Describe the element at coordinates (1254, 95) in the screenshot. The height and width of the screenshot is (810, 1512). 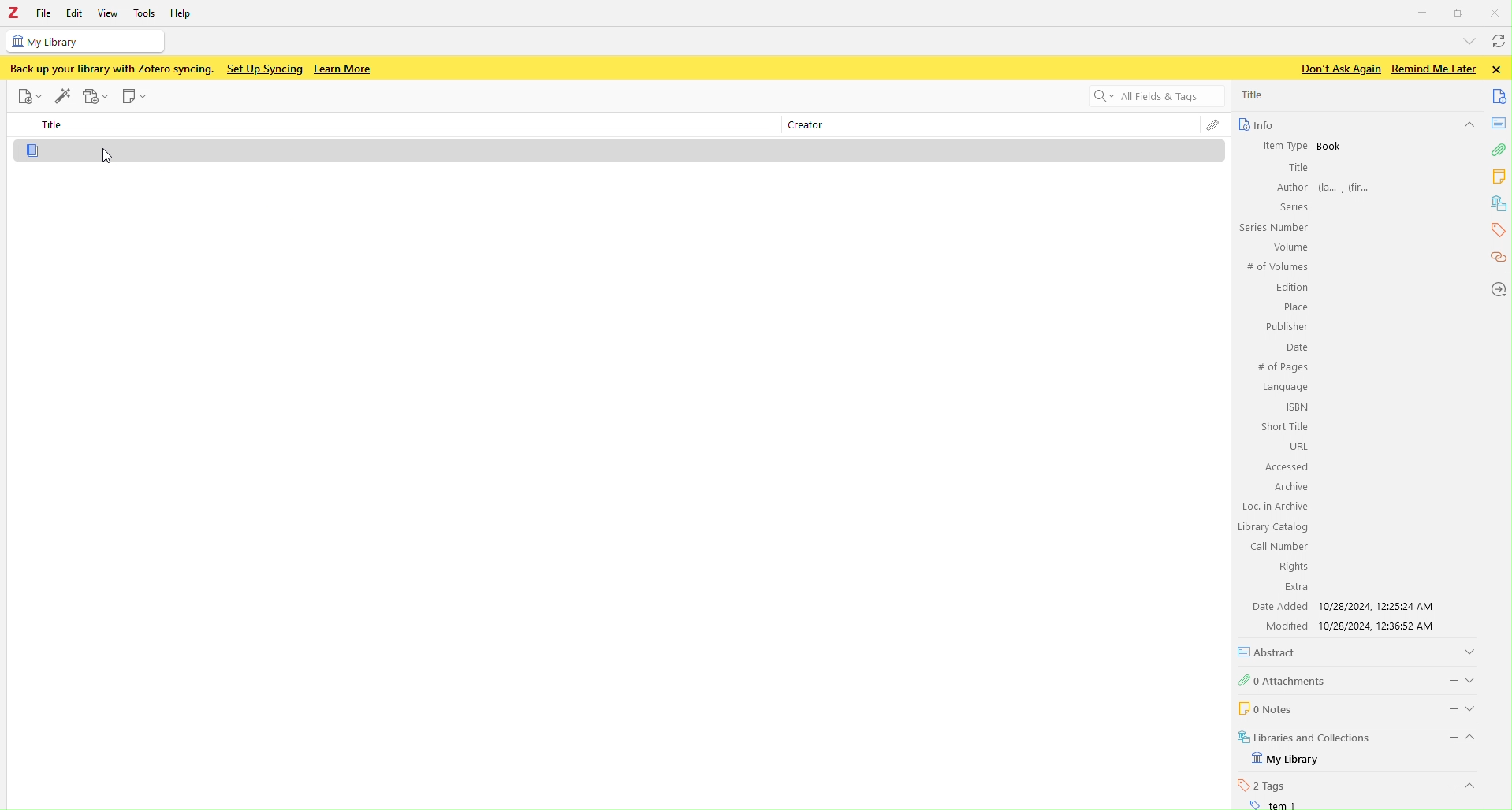
I see `Title` at that location.